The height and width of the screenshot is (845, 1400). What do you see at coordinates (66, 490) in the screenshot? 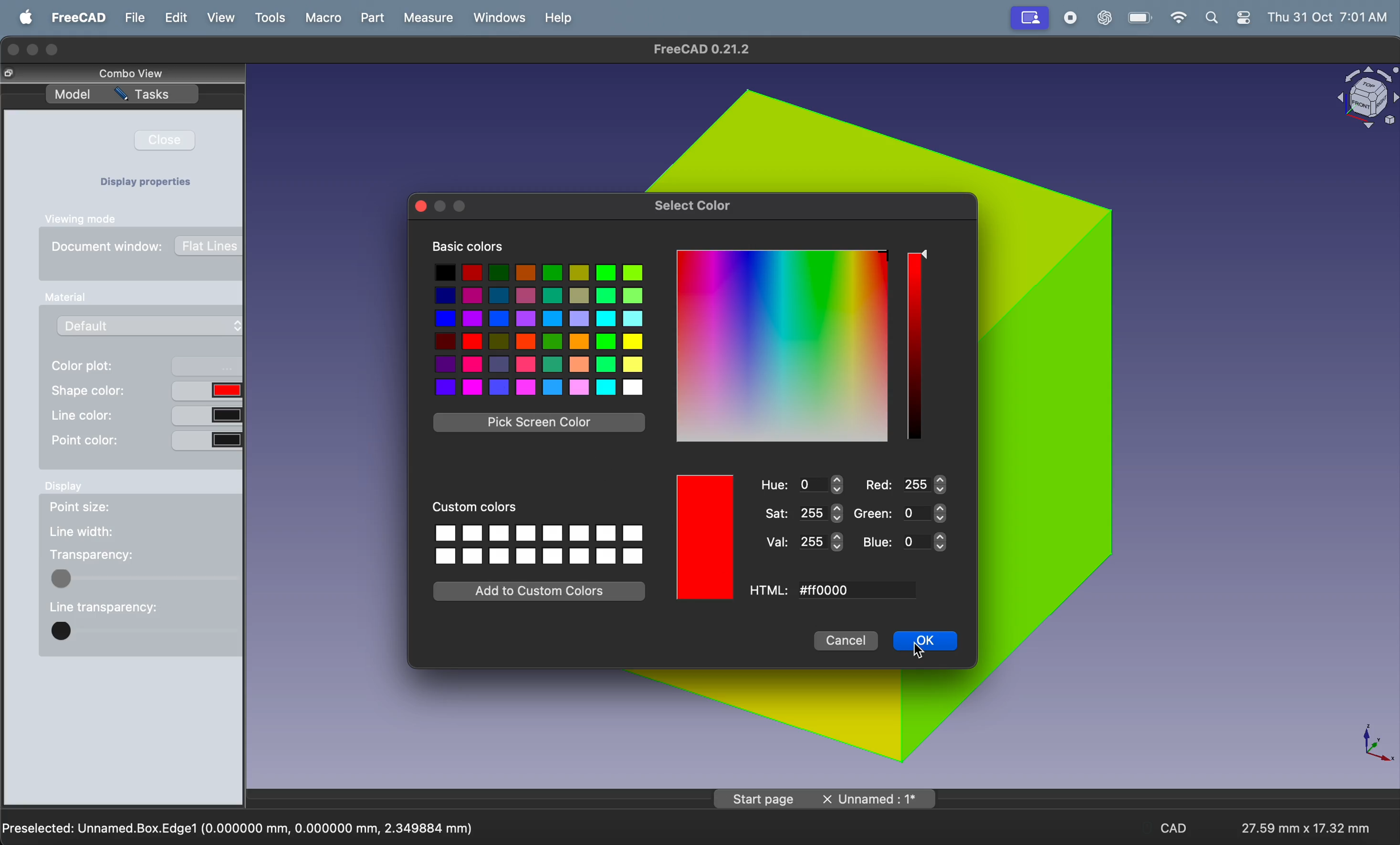
I see `display` at bounding box center [66, 490].